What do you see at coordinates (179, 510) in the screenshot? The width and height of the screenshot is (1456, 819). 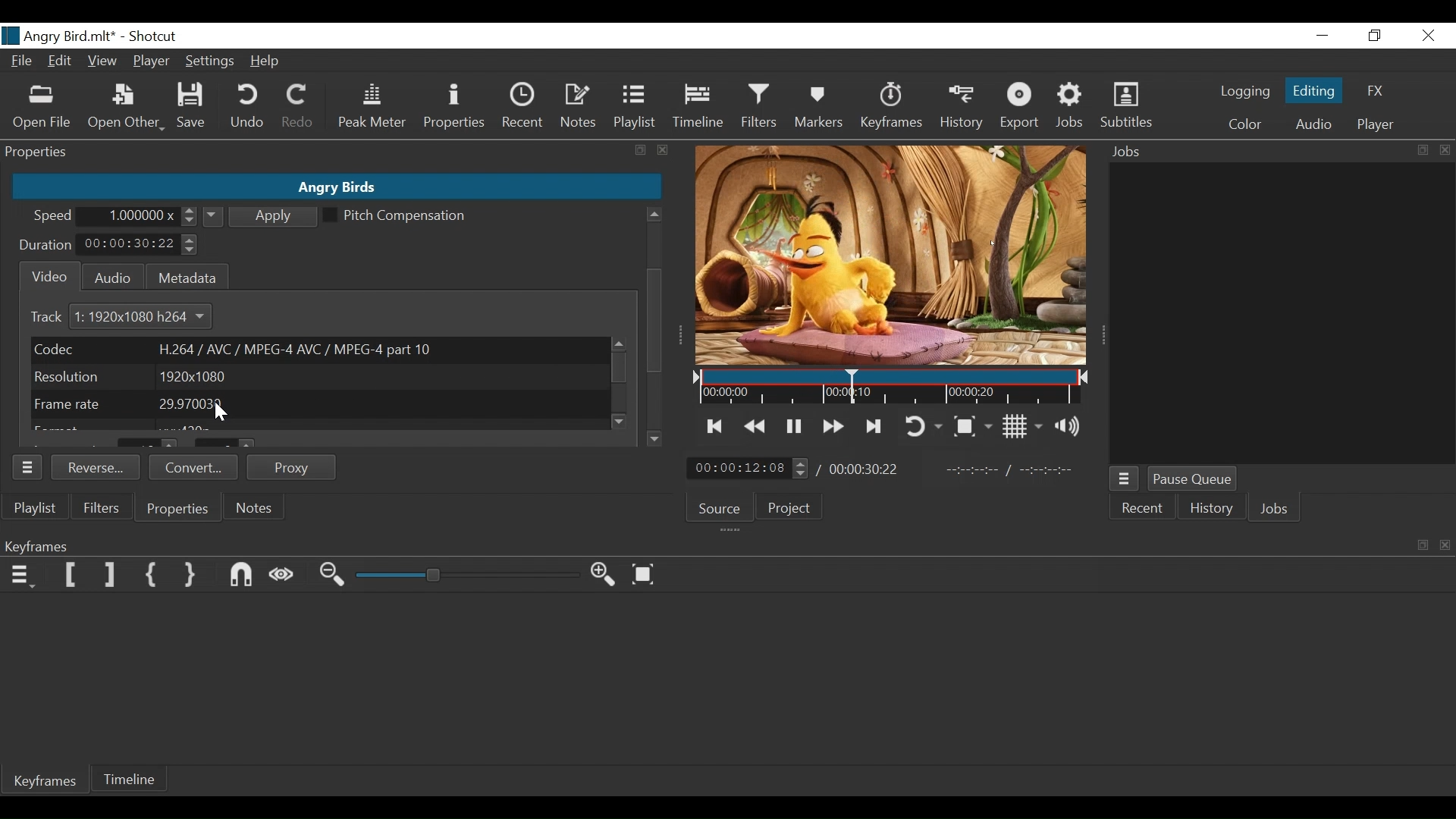 I see `Properties` at bounding box center [179, 510].